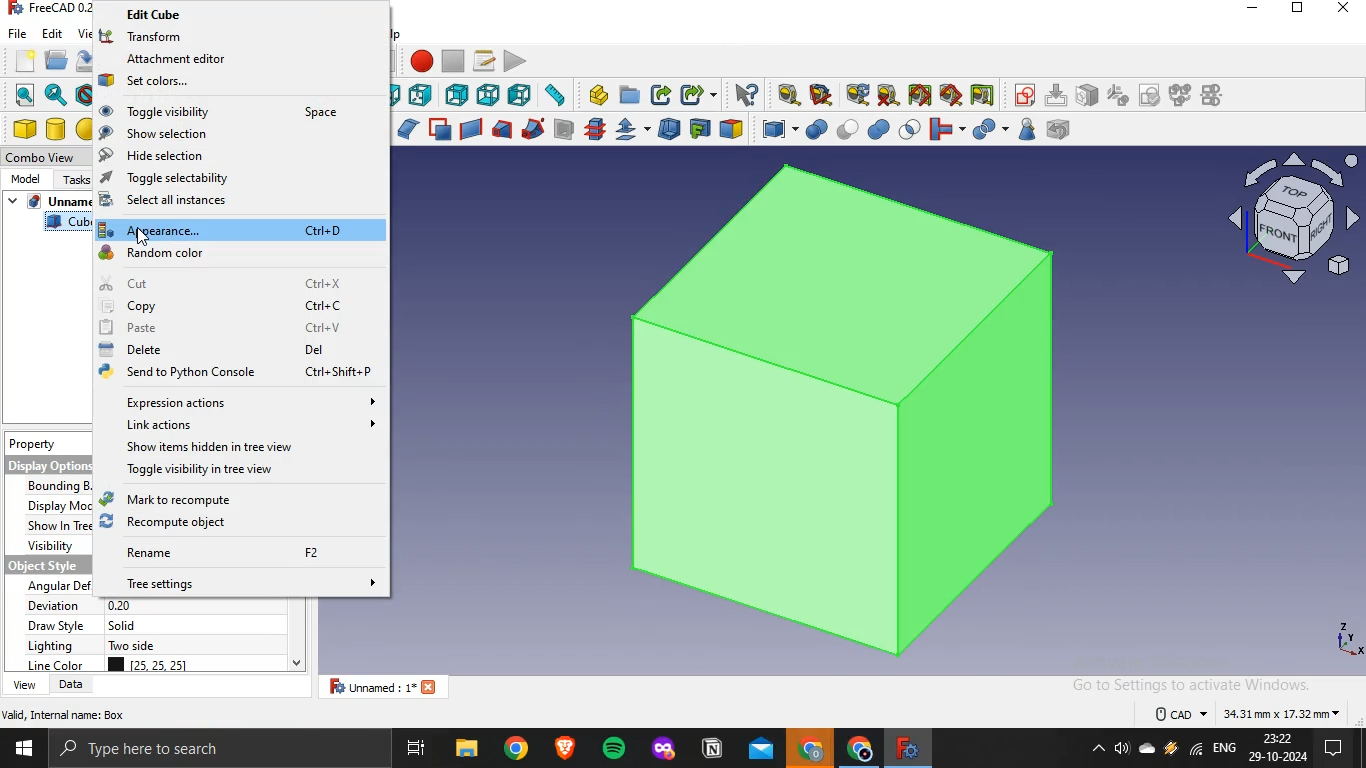 The image size is (1366, 768). I want to click on show hidden icons, so click(1094, 750).